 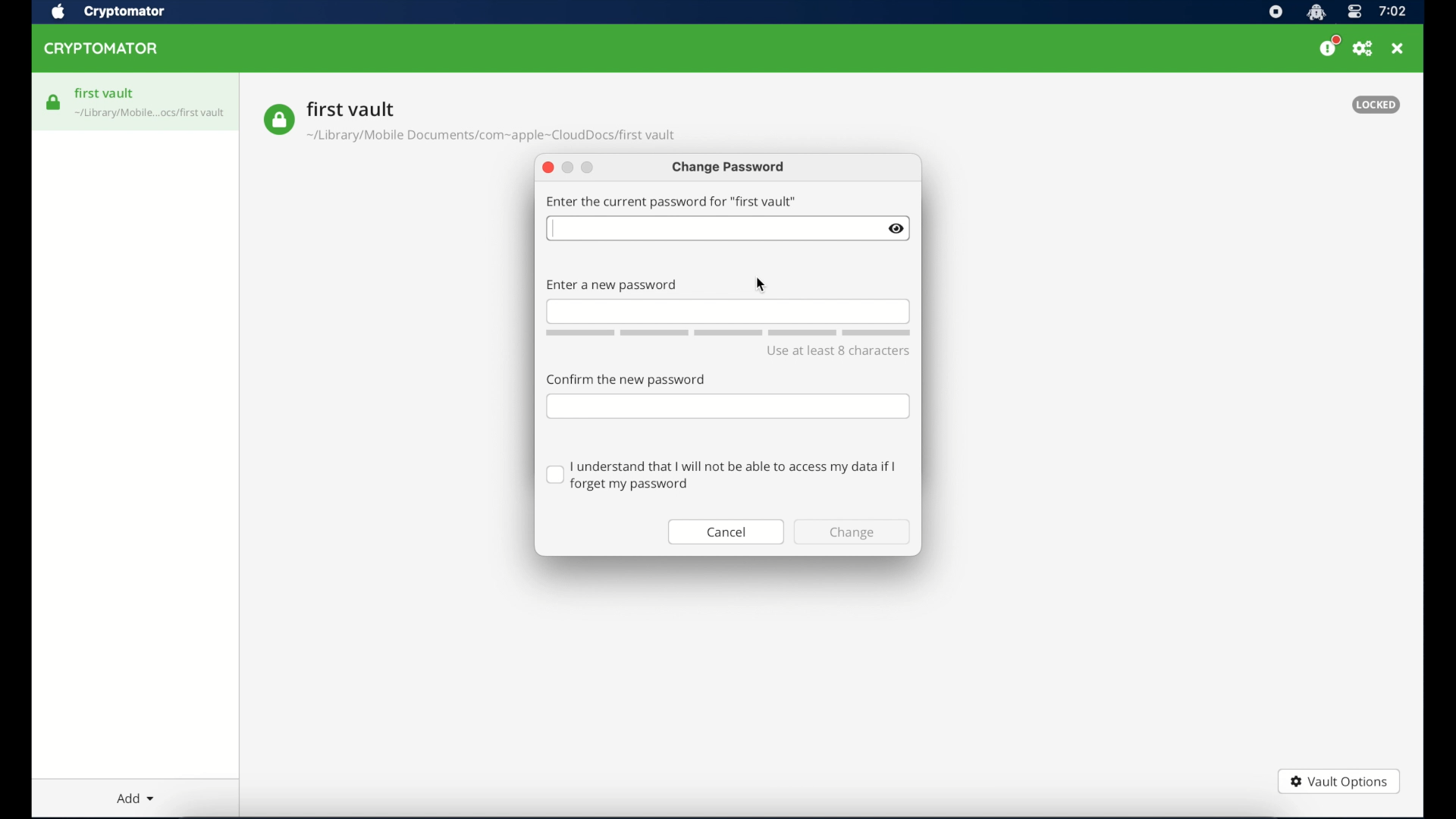 What do you see at coordinates (611, 286) in the screenshot?
I see `enter new password ` at bounding box center [611, 286].